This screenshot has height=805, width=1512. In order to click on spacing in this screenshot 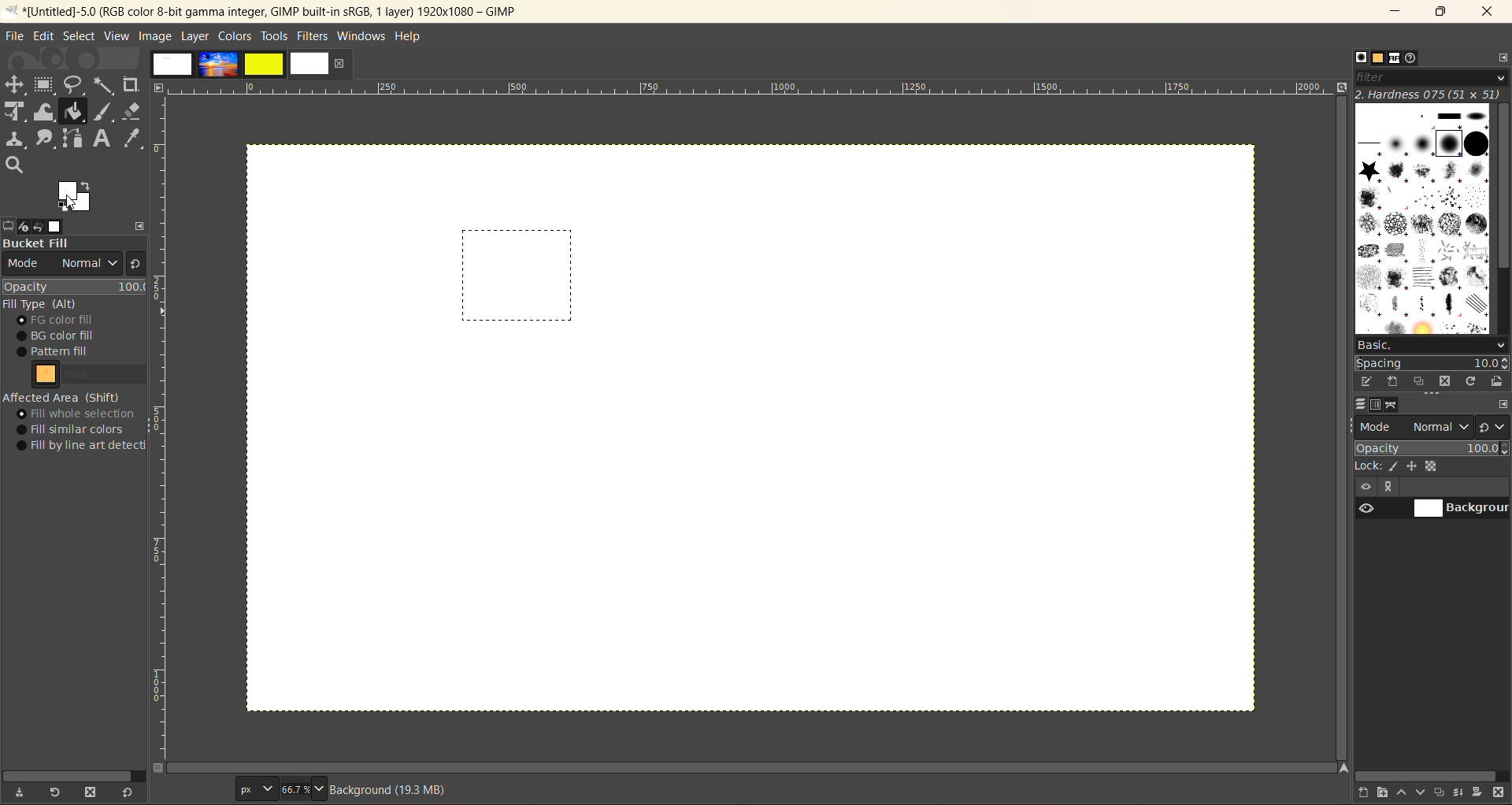, I will do `click(1429, 359)`.